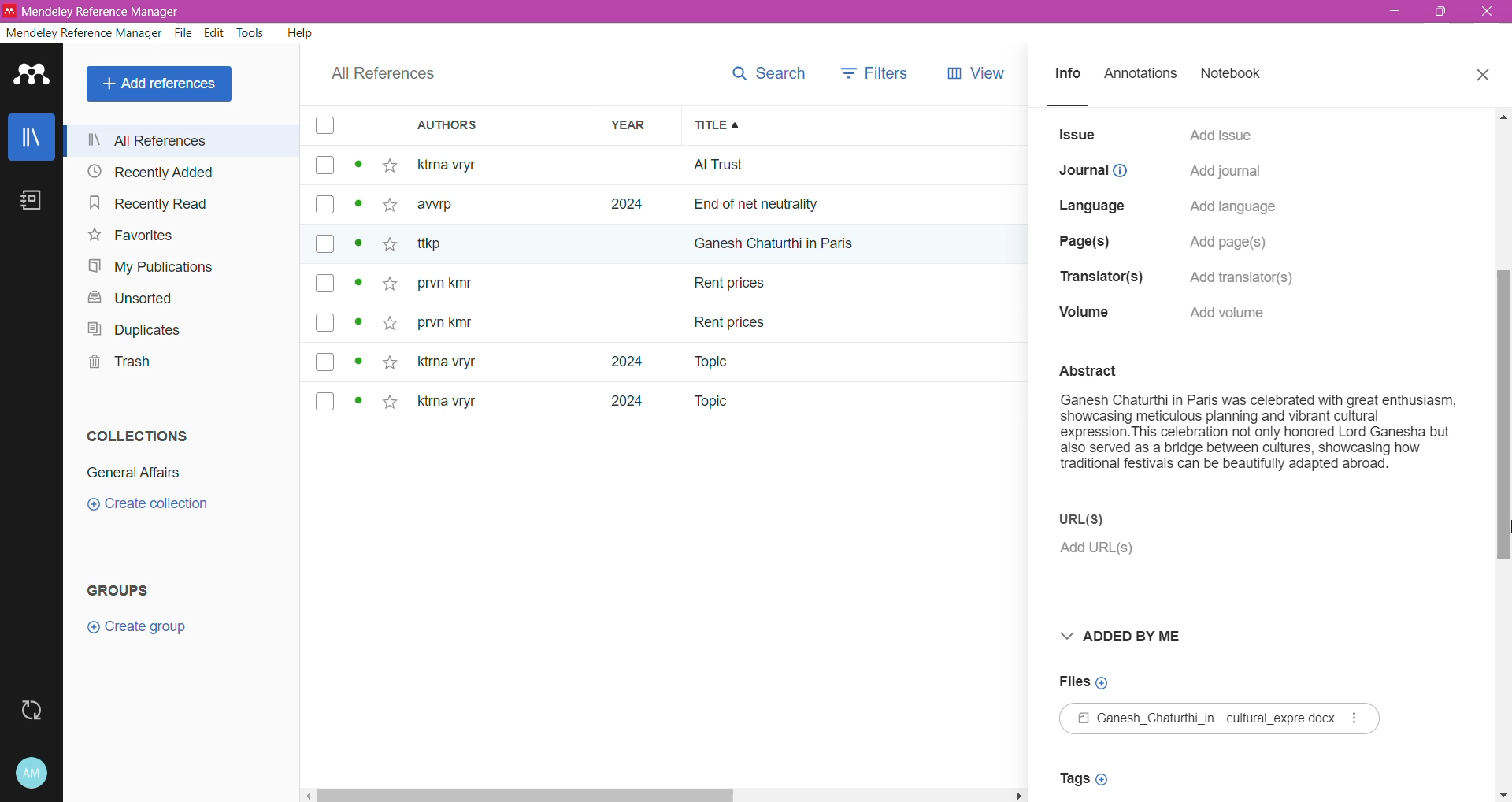 This screenshot has width=1512, height=802. Describe the element at coordinates (324, 266) in the screenshot. I see `Click to select the item` at that location.